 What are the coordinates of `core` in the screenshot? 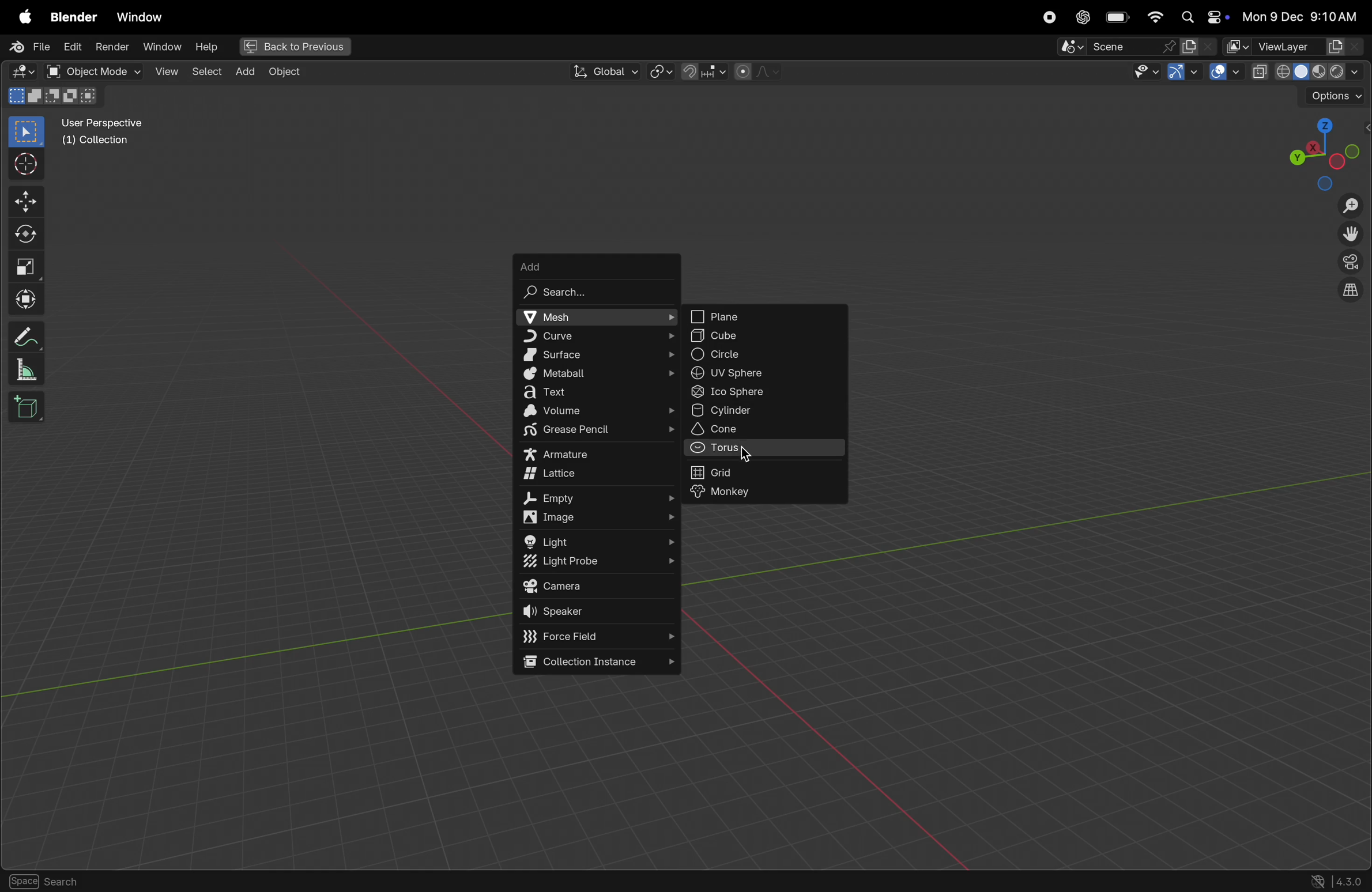 It's located at (768, 429).